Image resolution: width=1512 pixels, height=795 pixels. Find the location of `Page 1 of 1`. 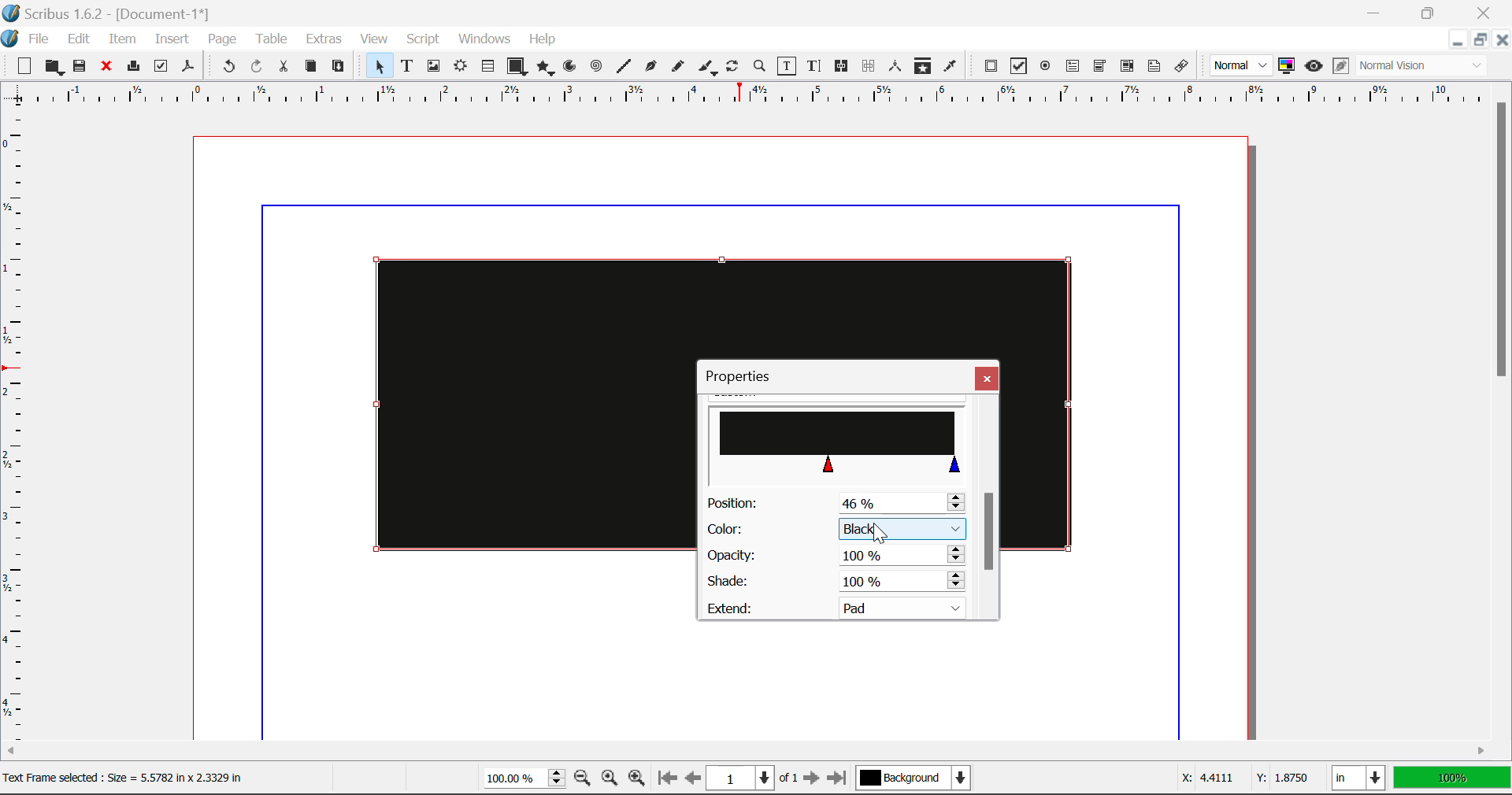

Page 1 of 1 is located at coordinates (752, 780).